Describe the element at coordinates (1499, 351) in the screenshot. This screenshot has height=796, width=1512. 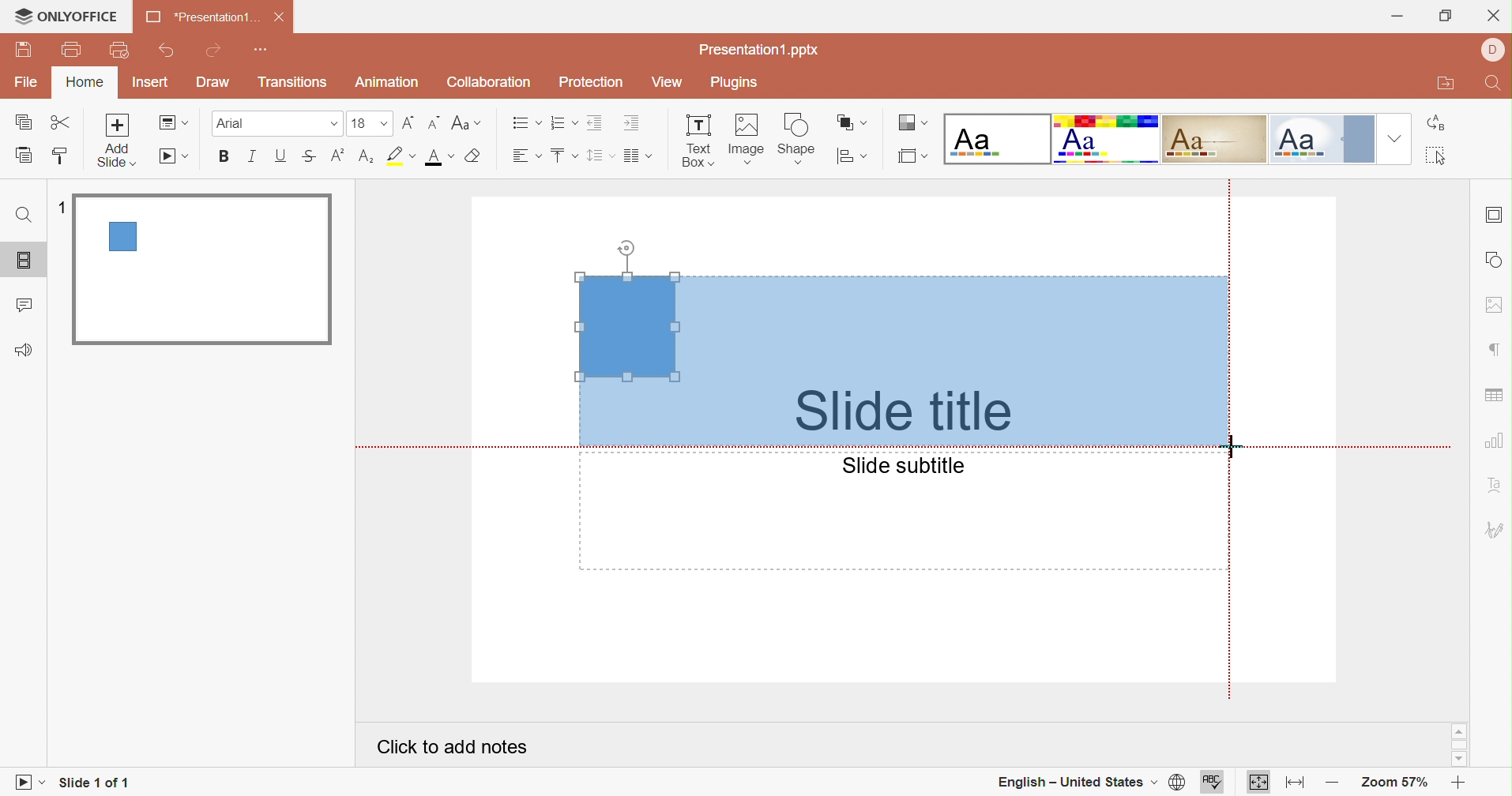
I see `Paragraph settings` at that location.